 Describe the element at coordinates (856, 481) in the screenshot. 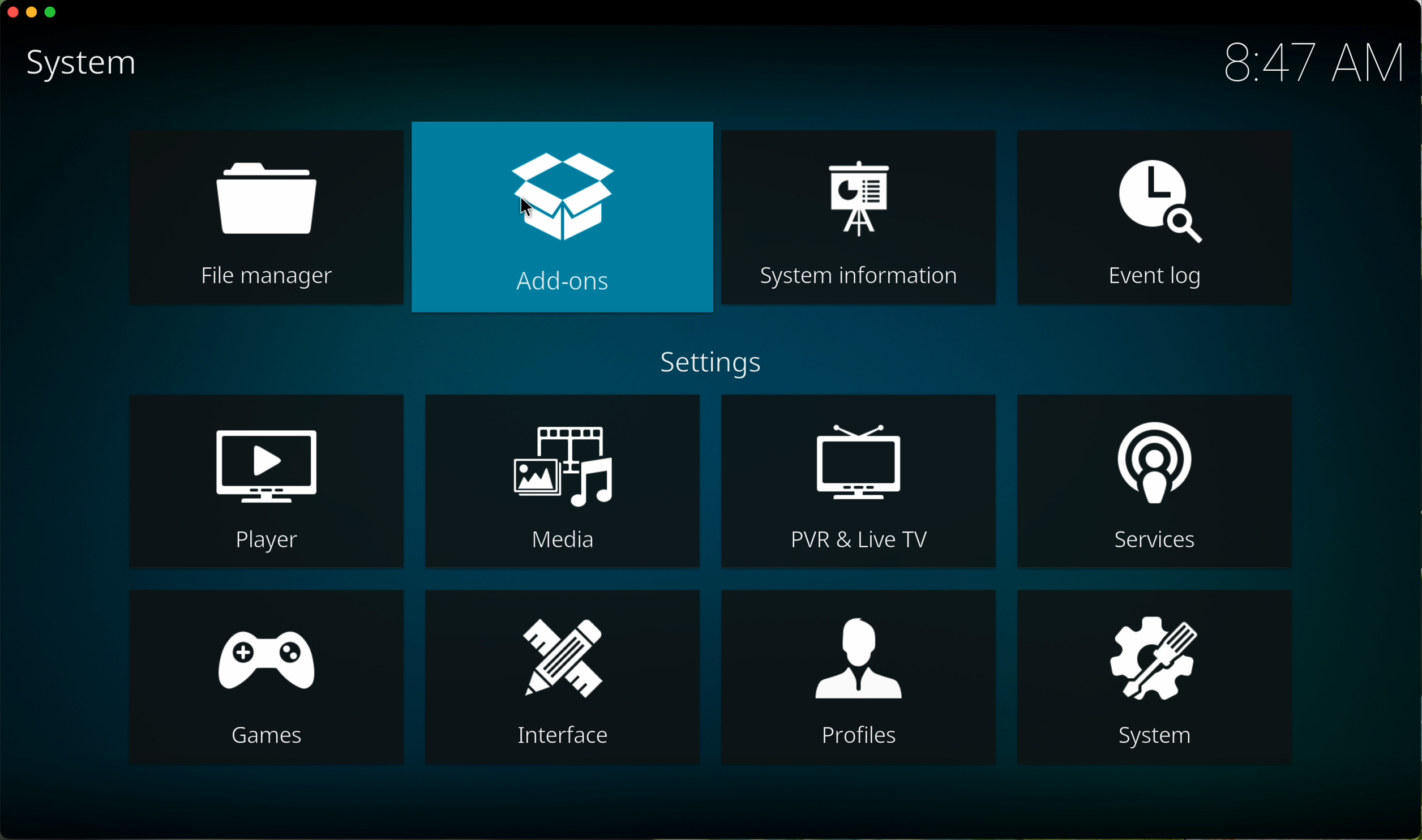

I see `PVR and live TV` at that location.